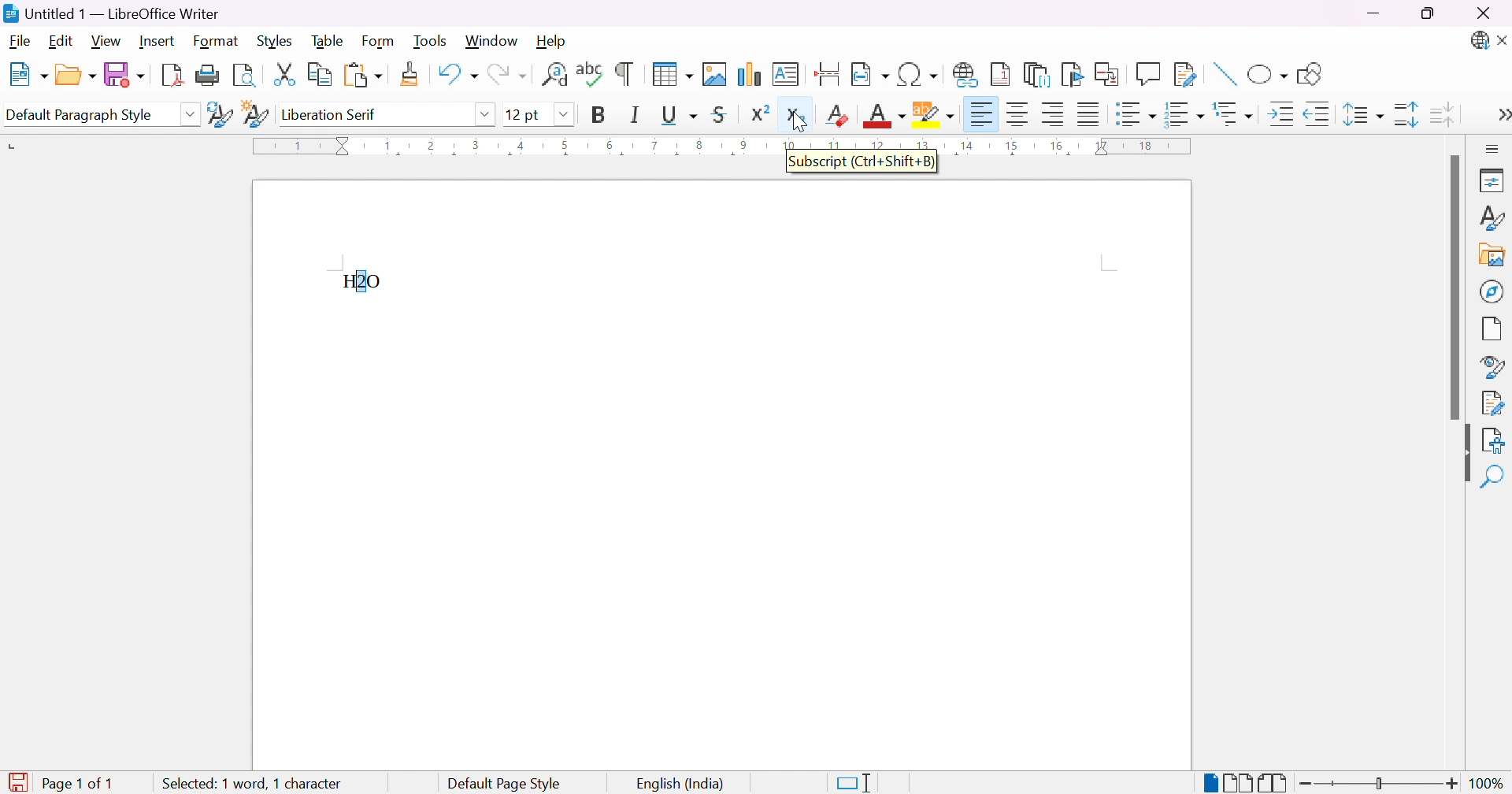 This screenshot has height=794, width=1512. Describe the element at coordinates (785, 74) in the screenshot. I see `Insert text box` at that location.